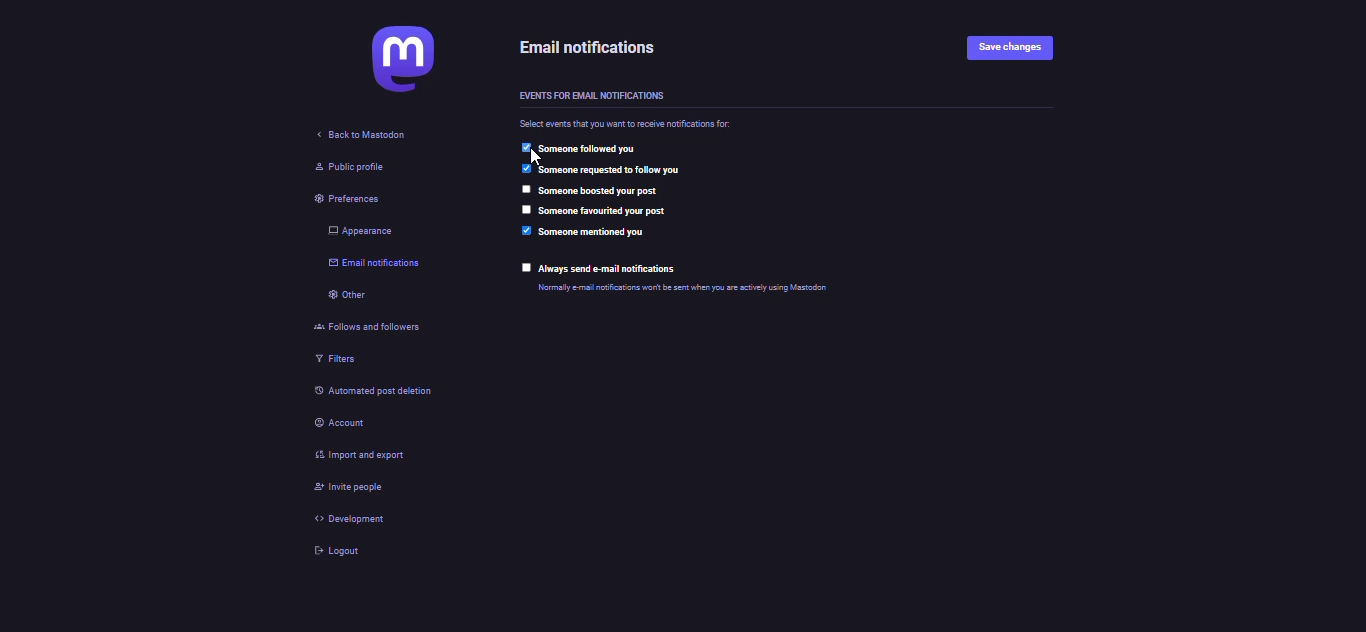 The width and height of the screenshot is (1366, 632). I want to click on cursor, so click(538, 158).